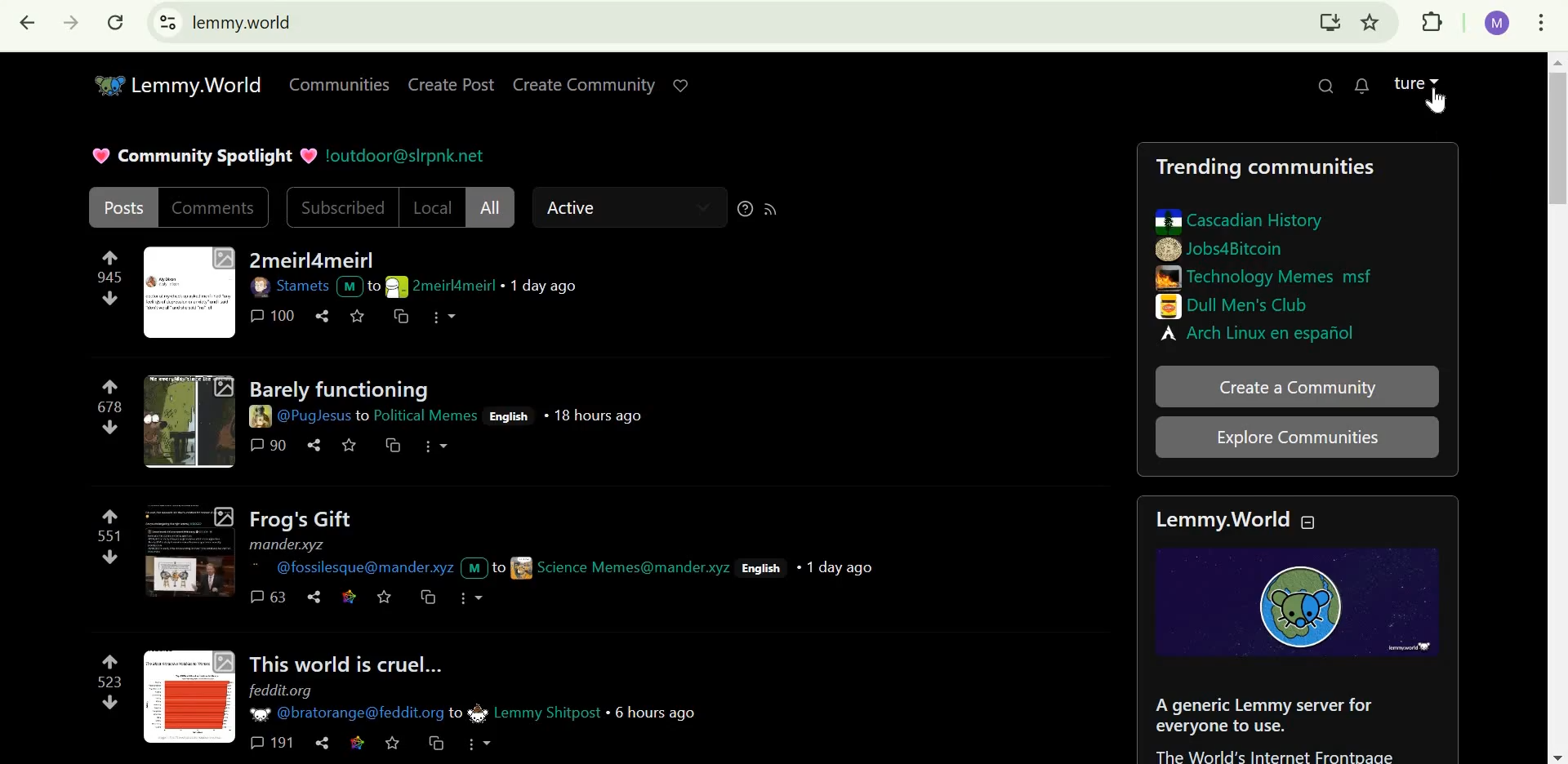 Image resolution: width=1568 pixels, height=764 pixels. Describe the element at coordinates (1298, 389) in the screenshot. I see `create a community` at that location.